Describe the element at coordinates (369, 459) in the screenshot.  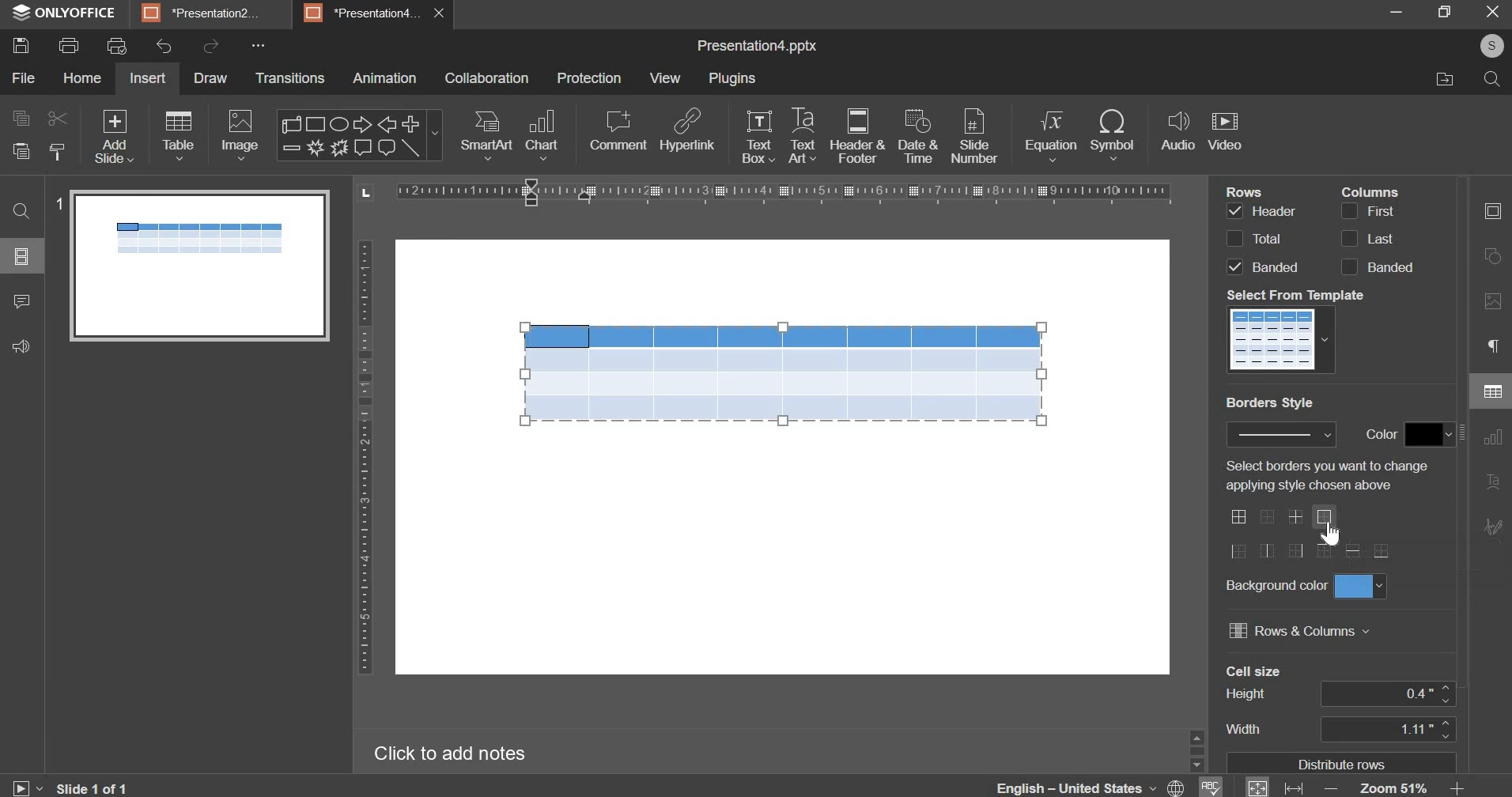
I see `vertical scale` at that location.